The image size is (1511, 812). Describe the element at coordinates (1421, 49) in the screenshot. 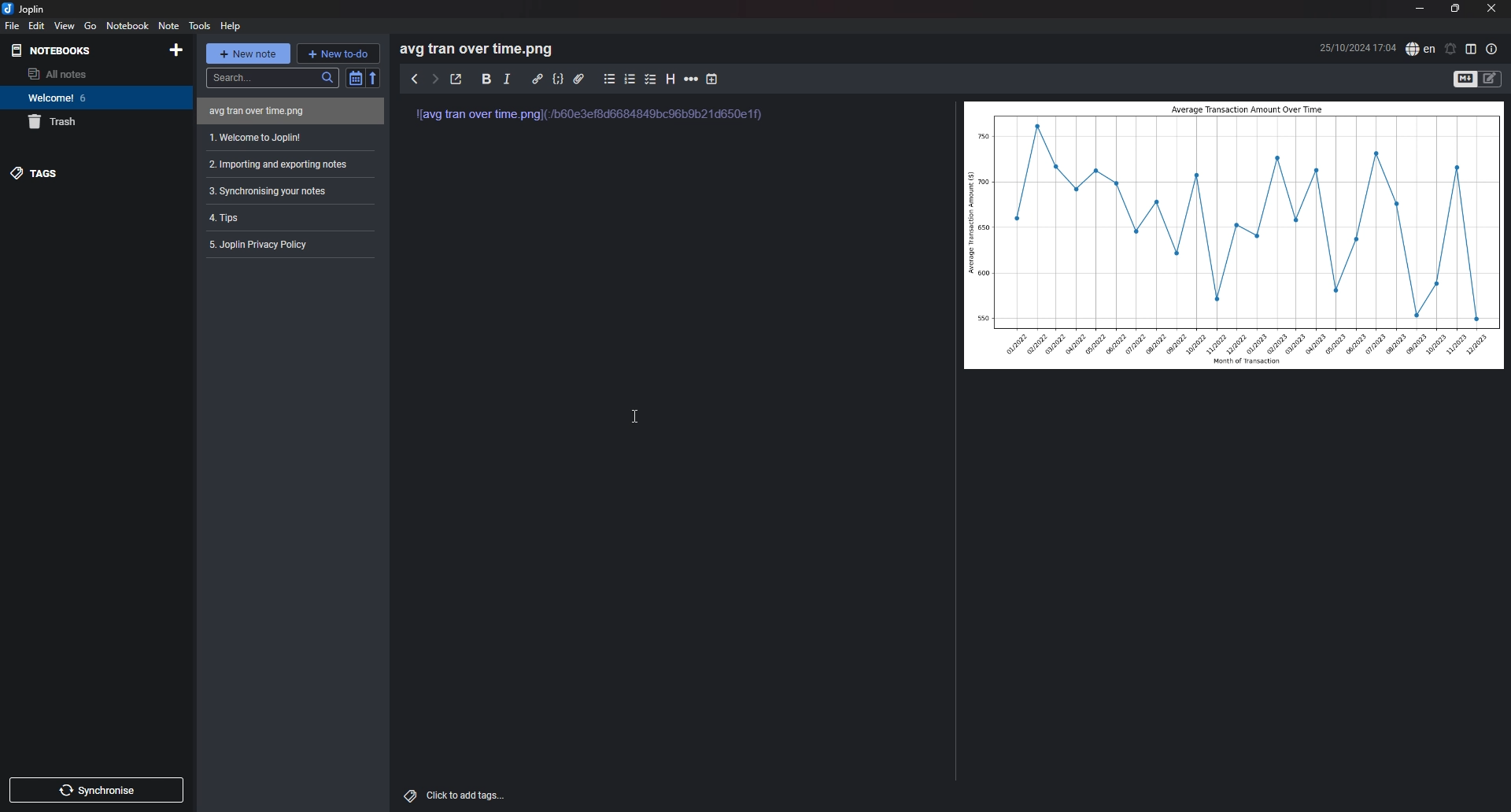

I see `spell check` at that location.